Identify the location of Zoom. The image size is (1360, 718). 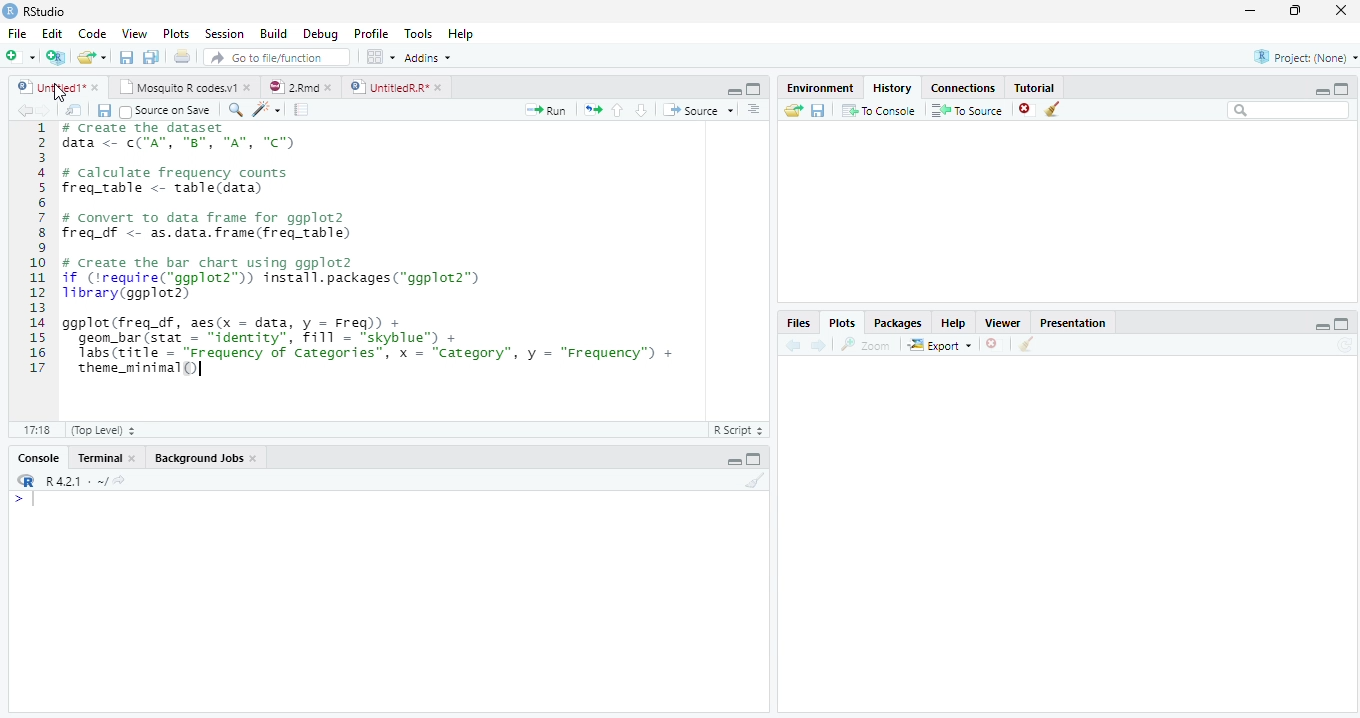
(867, 347).